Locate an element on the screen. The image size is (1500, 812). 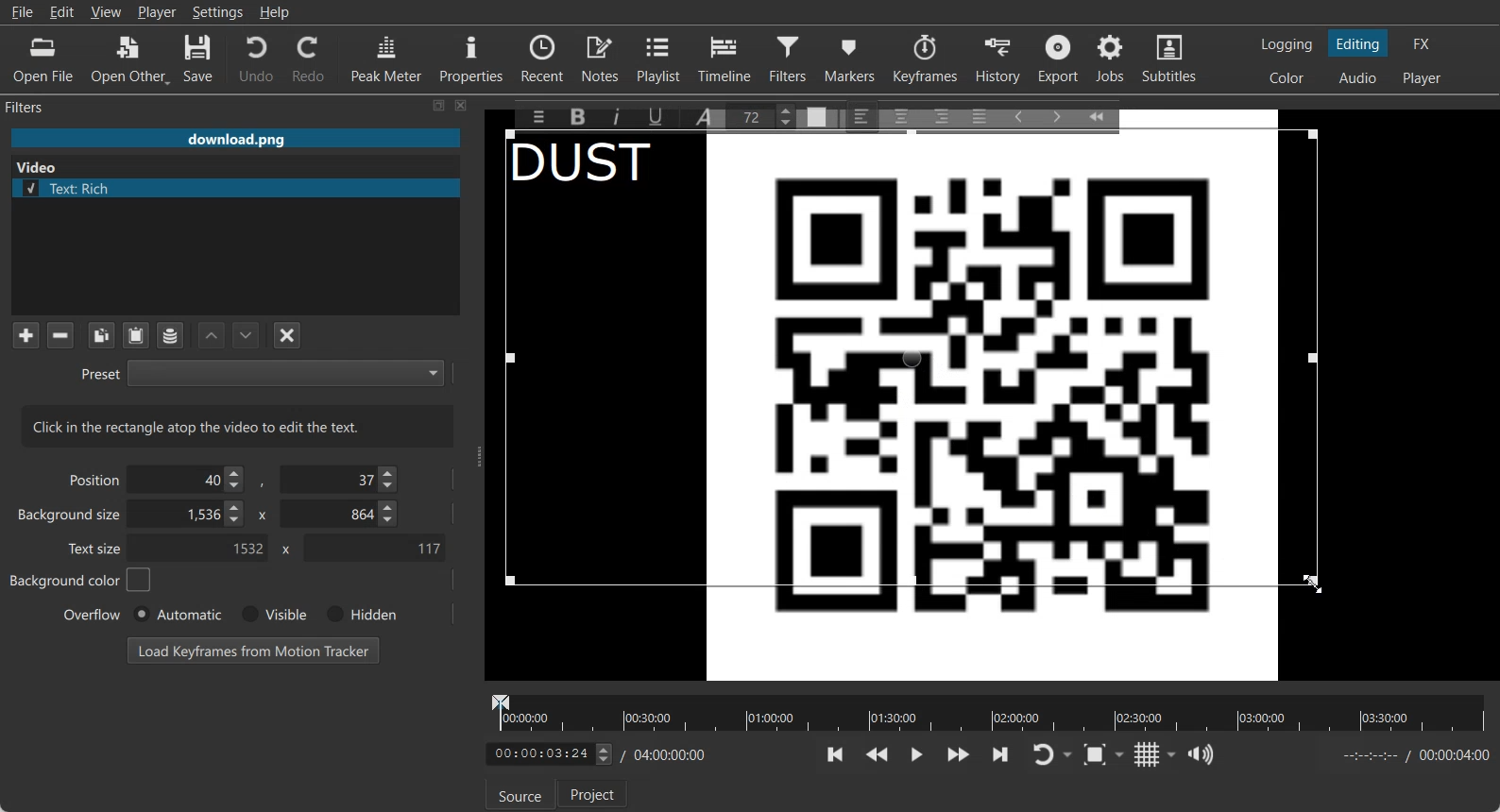
Switching to the logging layout is located at coordinates (1287, 44).